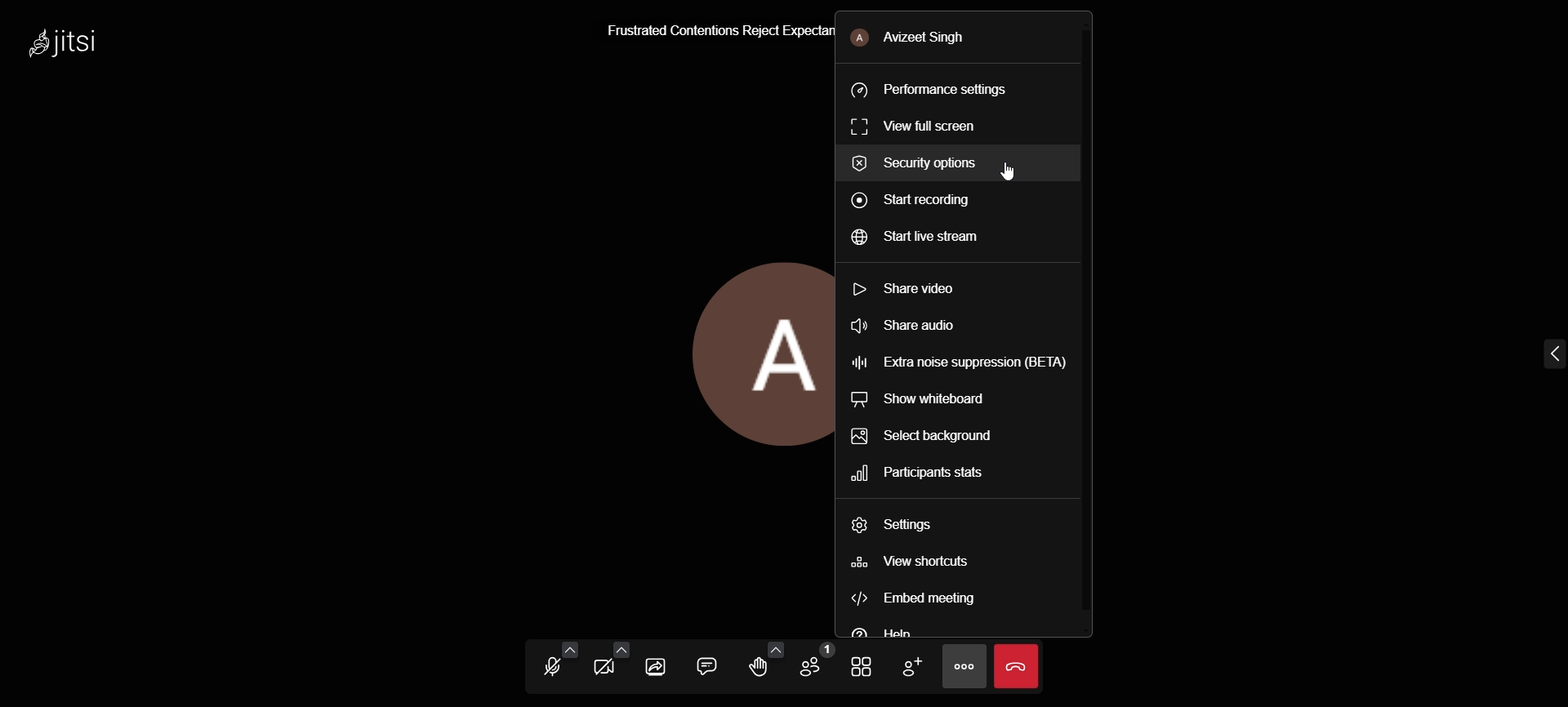 The image size is (1568, 707). I want to click on view shortcuts, so click(911, 562).